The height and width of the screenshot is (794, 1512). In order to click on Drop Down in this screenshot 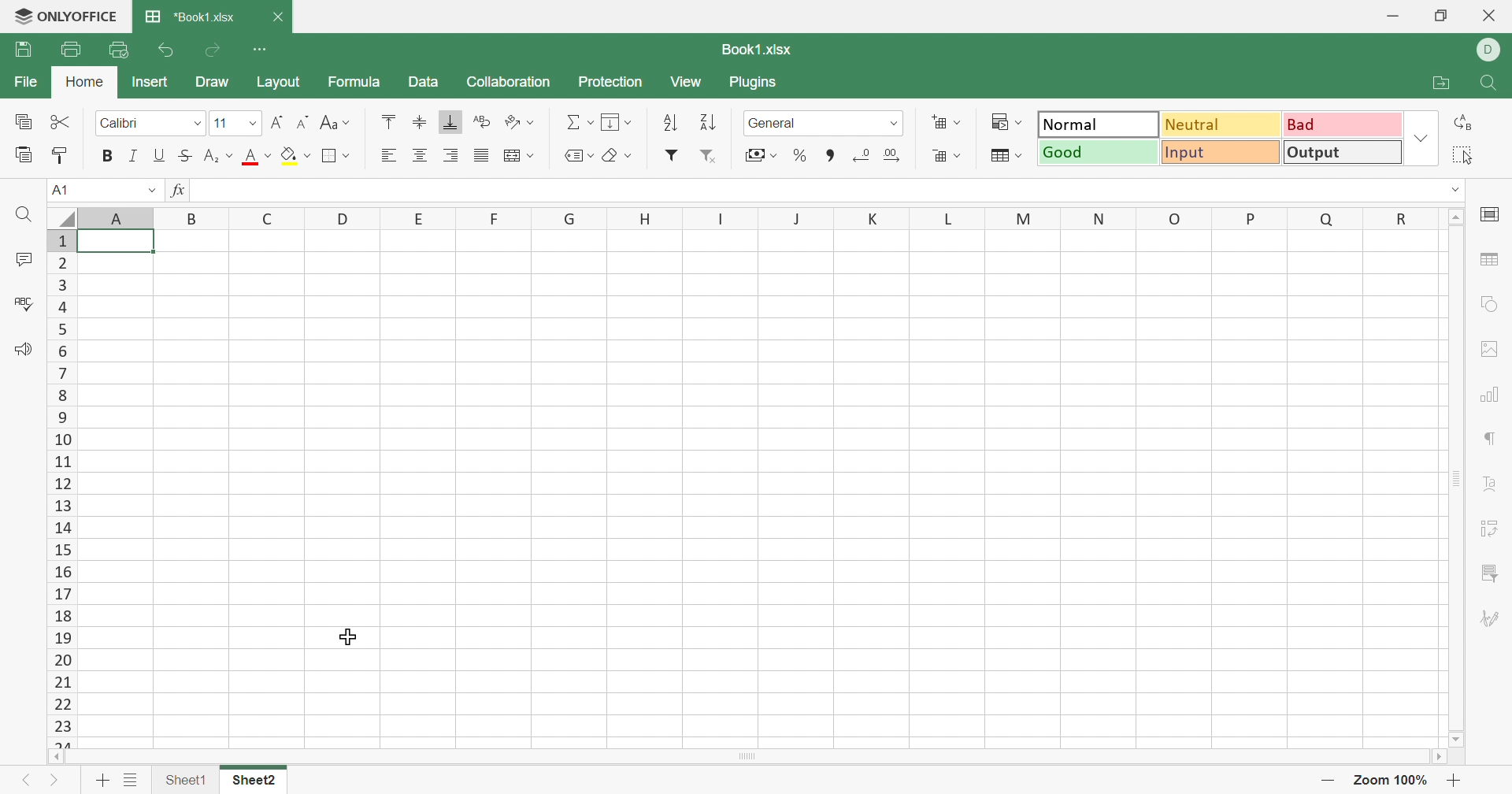, I will do `click(229, 157)`.